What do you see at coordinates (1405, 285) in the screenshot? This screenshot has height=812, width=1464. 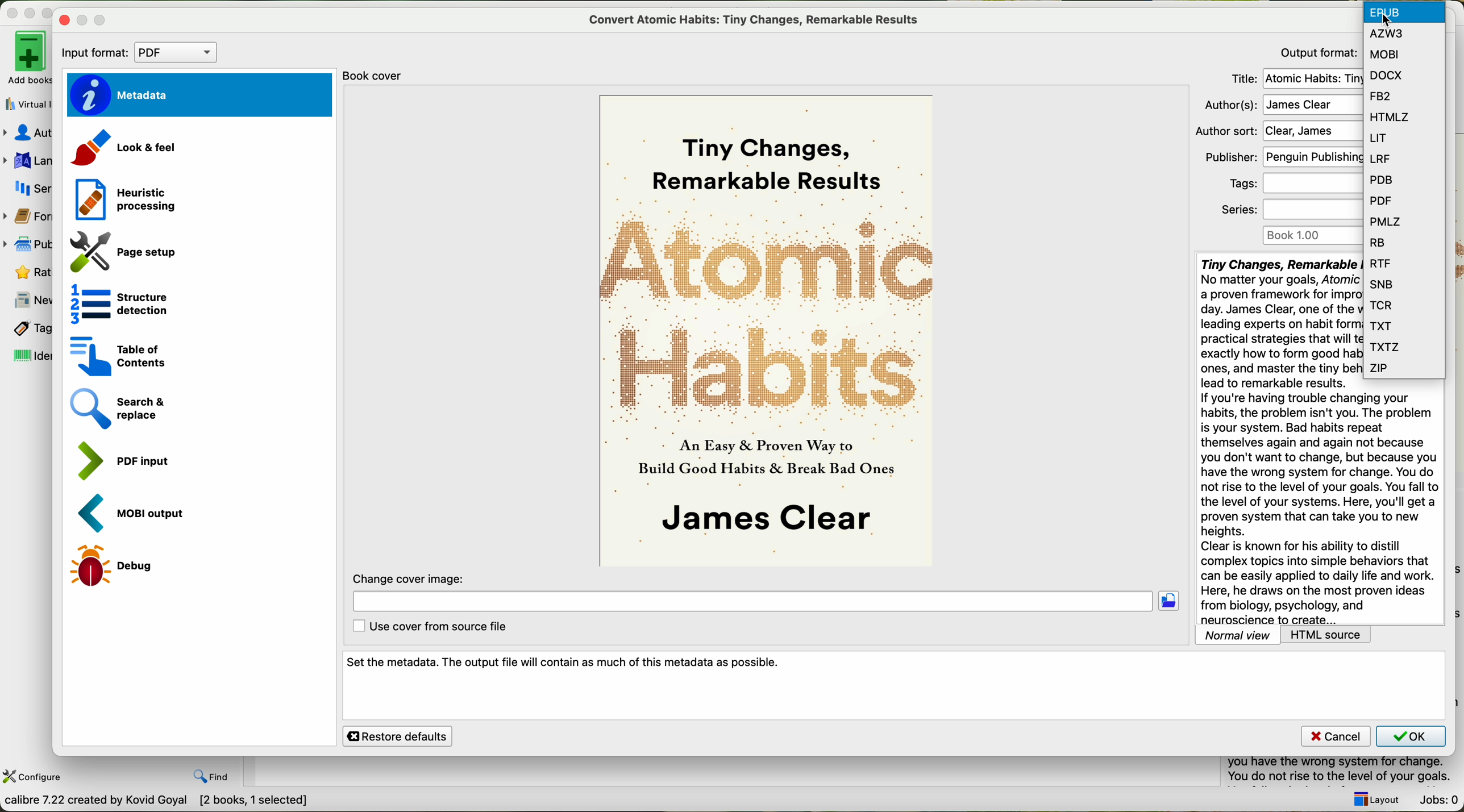 I see `SNB` at bounding box center [1405, 285].